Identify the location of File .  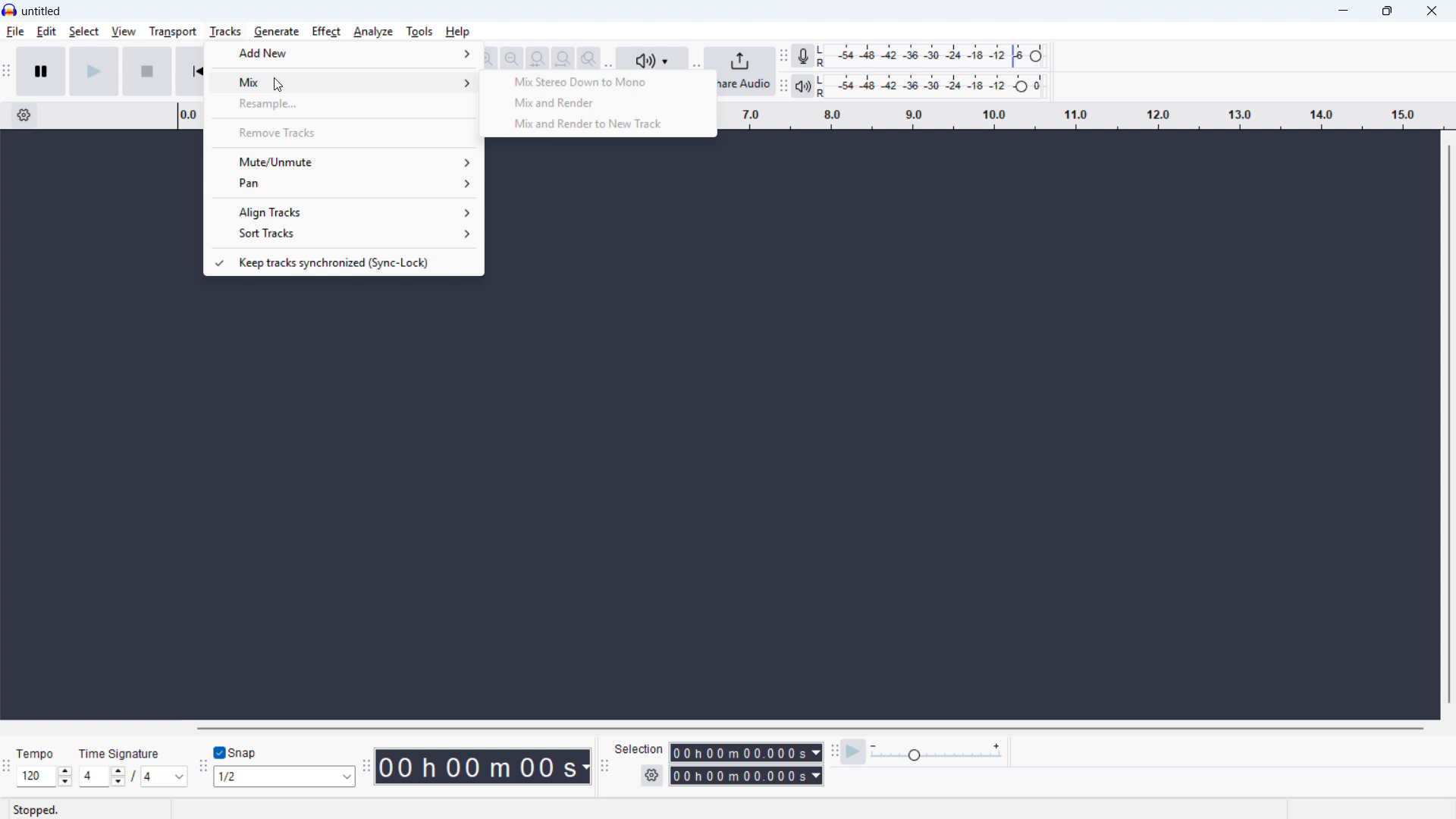
(16, 32).